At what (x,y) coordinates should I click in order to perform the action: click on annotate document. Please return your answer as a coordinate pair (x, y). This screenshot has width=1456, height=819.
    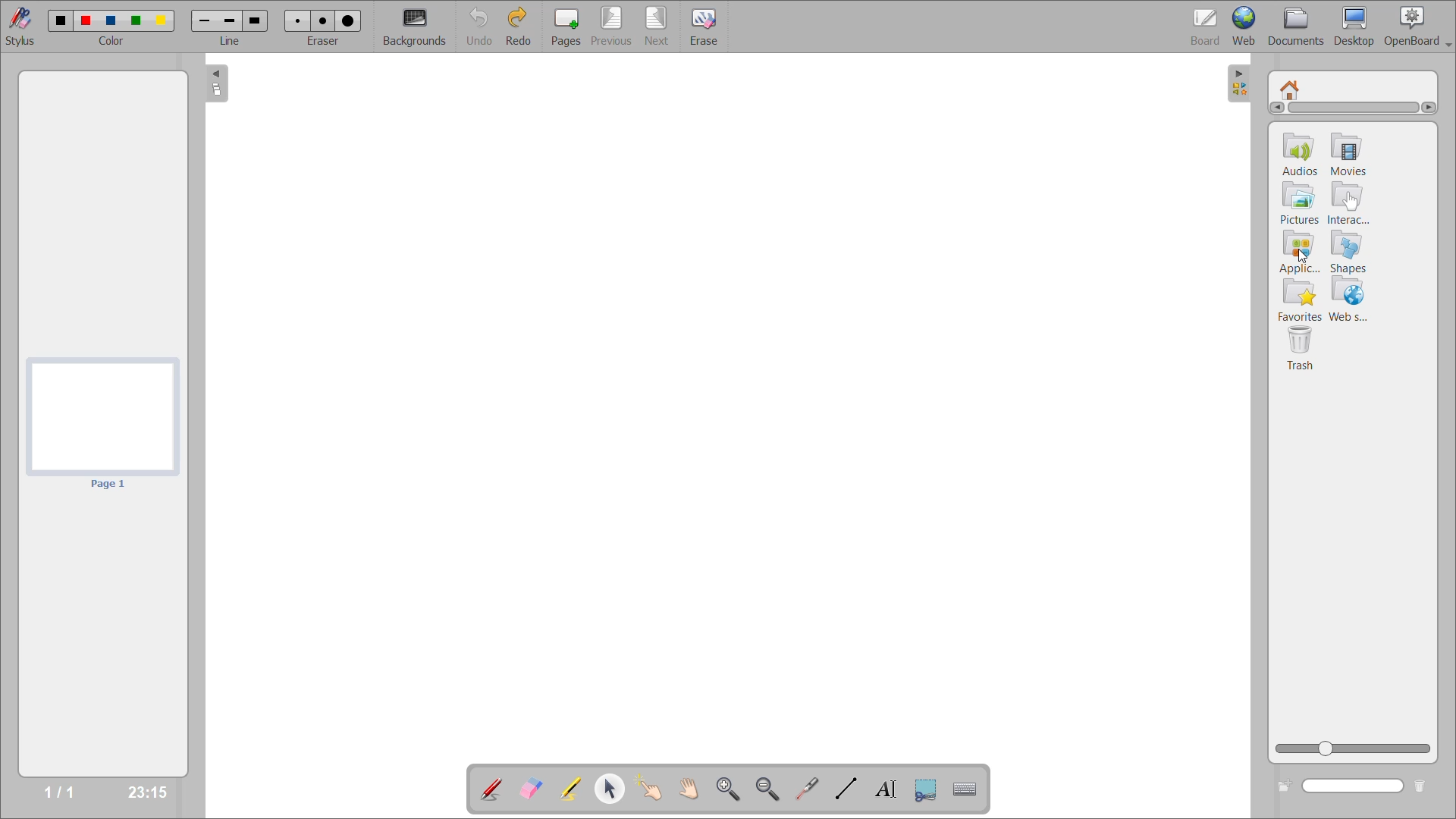
    Looking at the image, I should click on (489, 787).